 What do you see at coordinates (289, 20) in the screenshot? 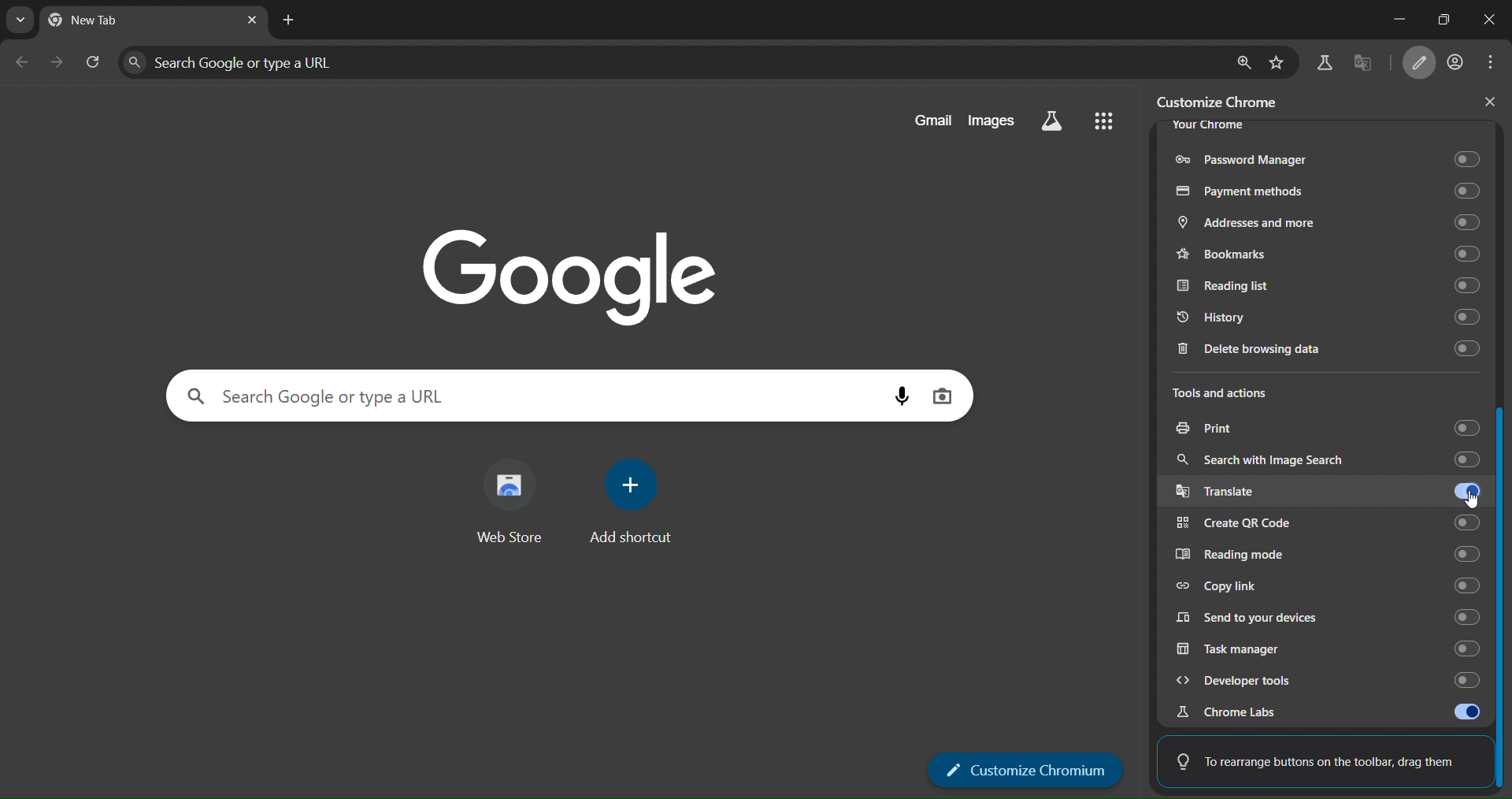
I see `new tab` at bounding box center [289, 20].